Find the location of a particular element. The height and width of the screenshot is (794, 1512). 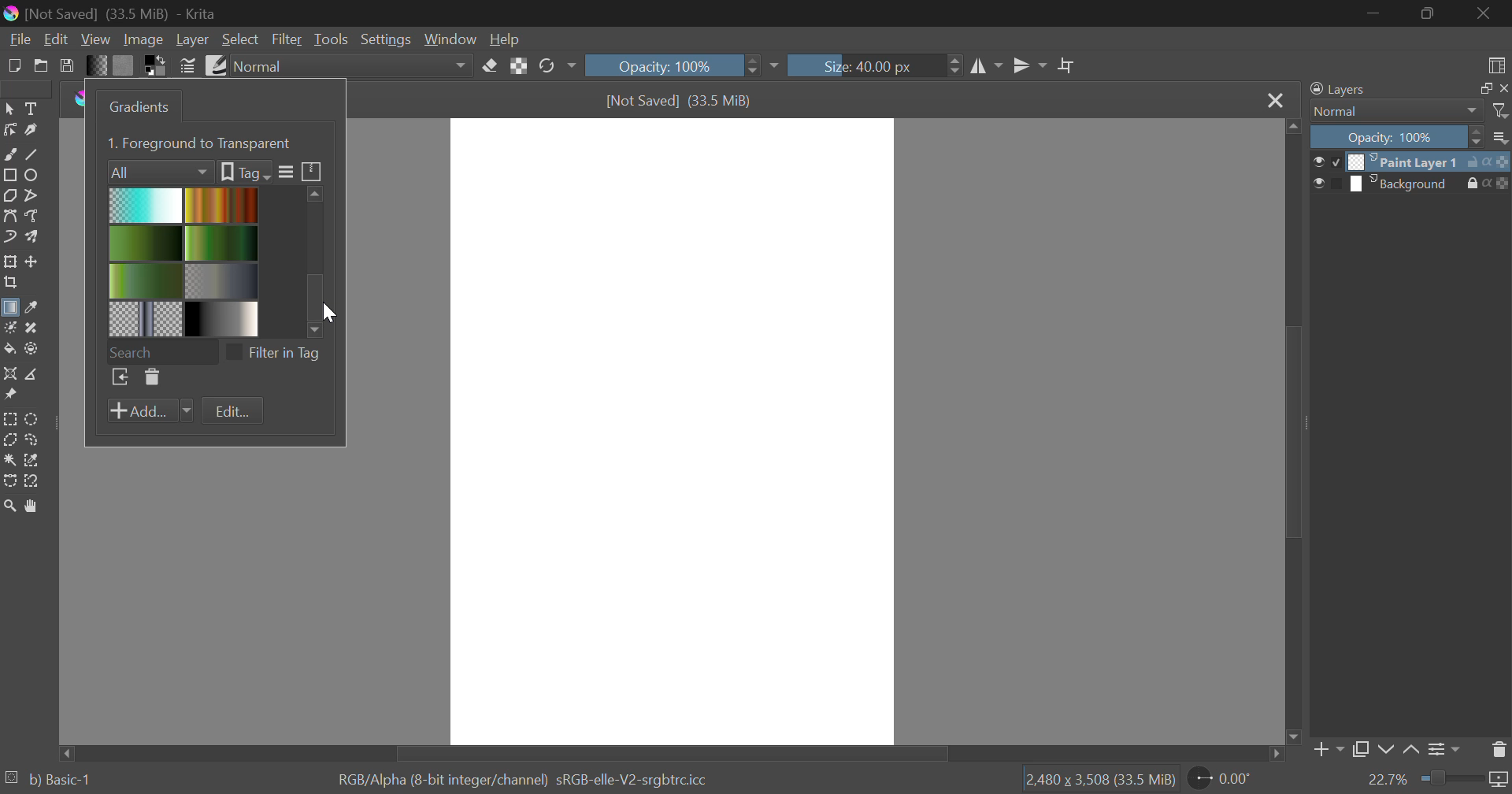

Normal is located at coordinates (1388, 111).